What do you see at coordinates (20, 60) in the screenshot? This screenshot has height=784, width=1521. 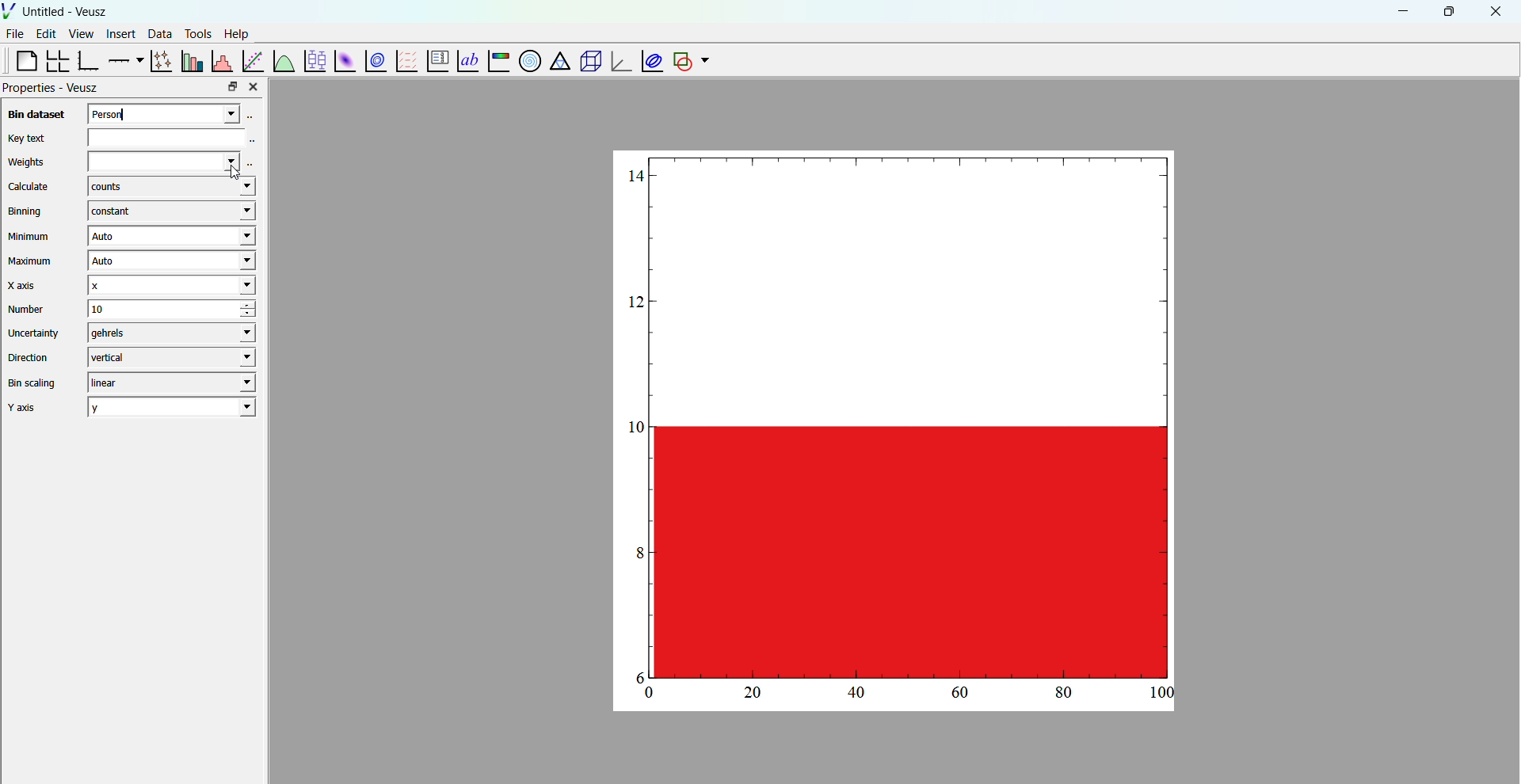 I see `blank page` at bounding box center [20, 60].